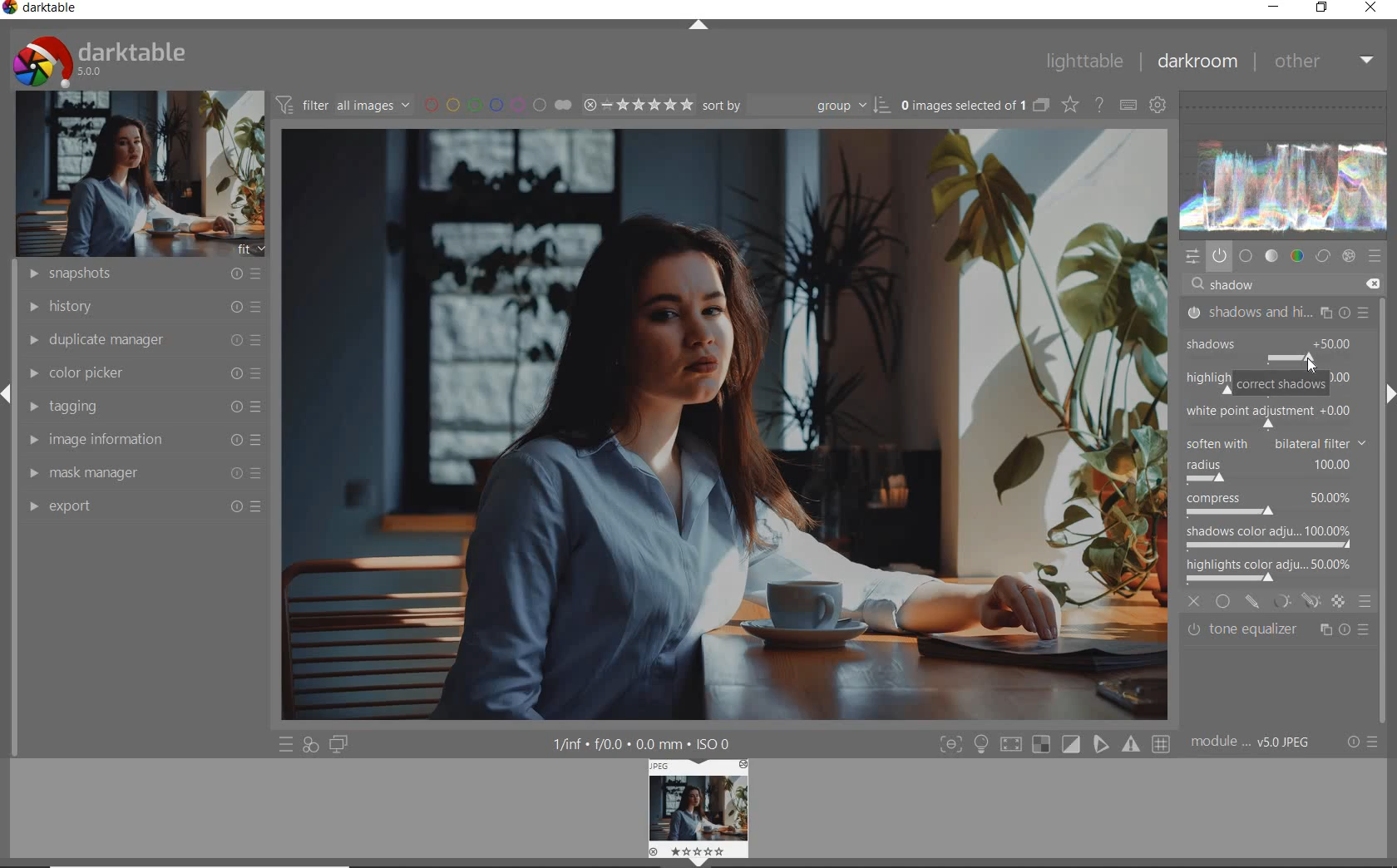 The image size is (1397, 868). What do you see at coordinates (1099, 106) in the screenshot?
I see `enable for online help` at bounding box center [1099, 106].